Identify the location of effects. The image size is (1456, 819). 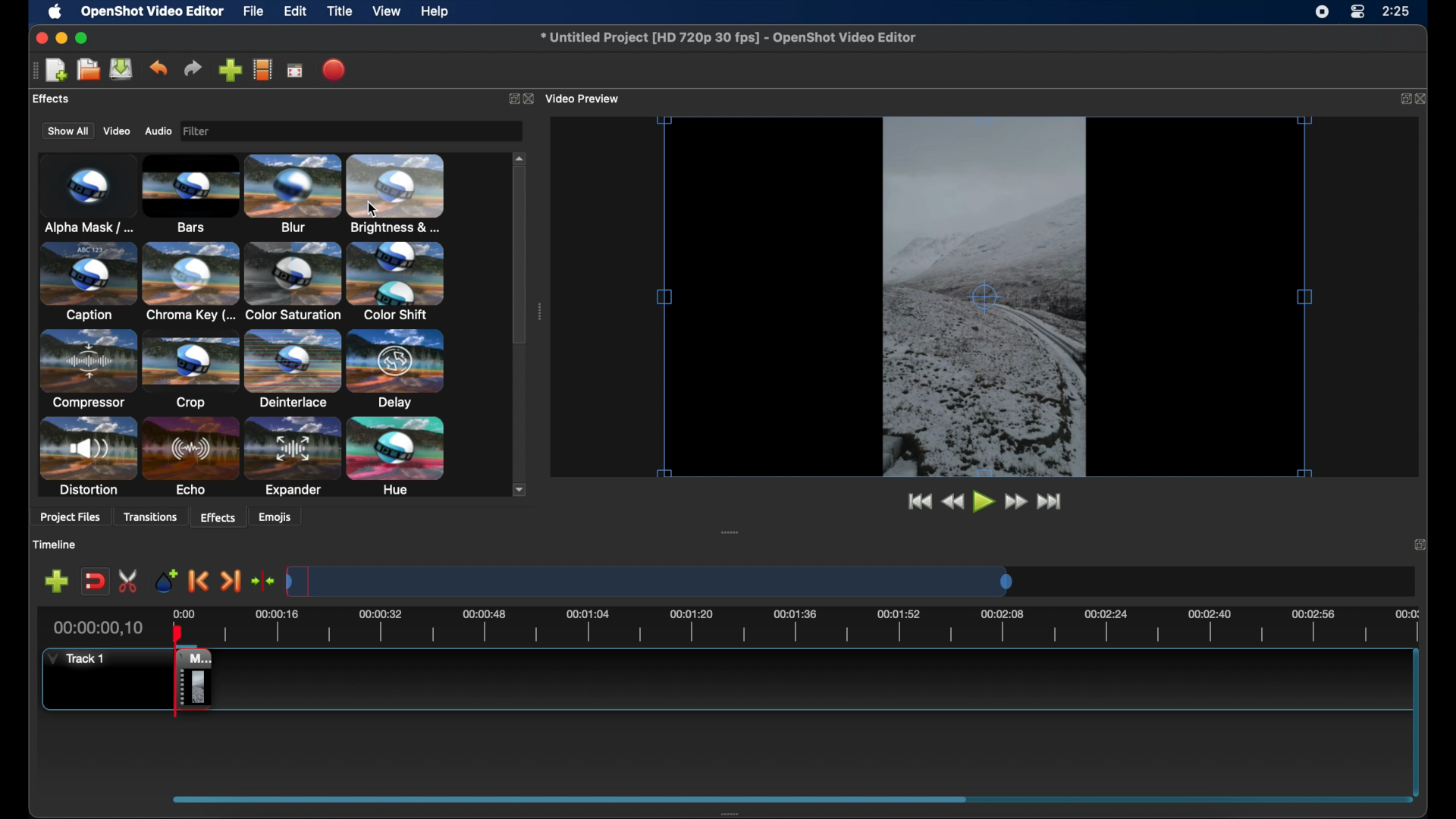
(218, 516).